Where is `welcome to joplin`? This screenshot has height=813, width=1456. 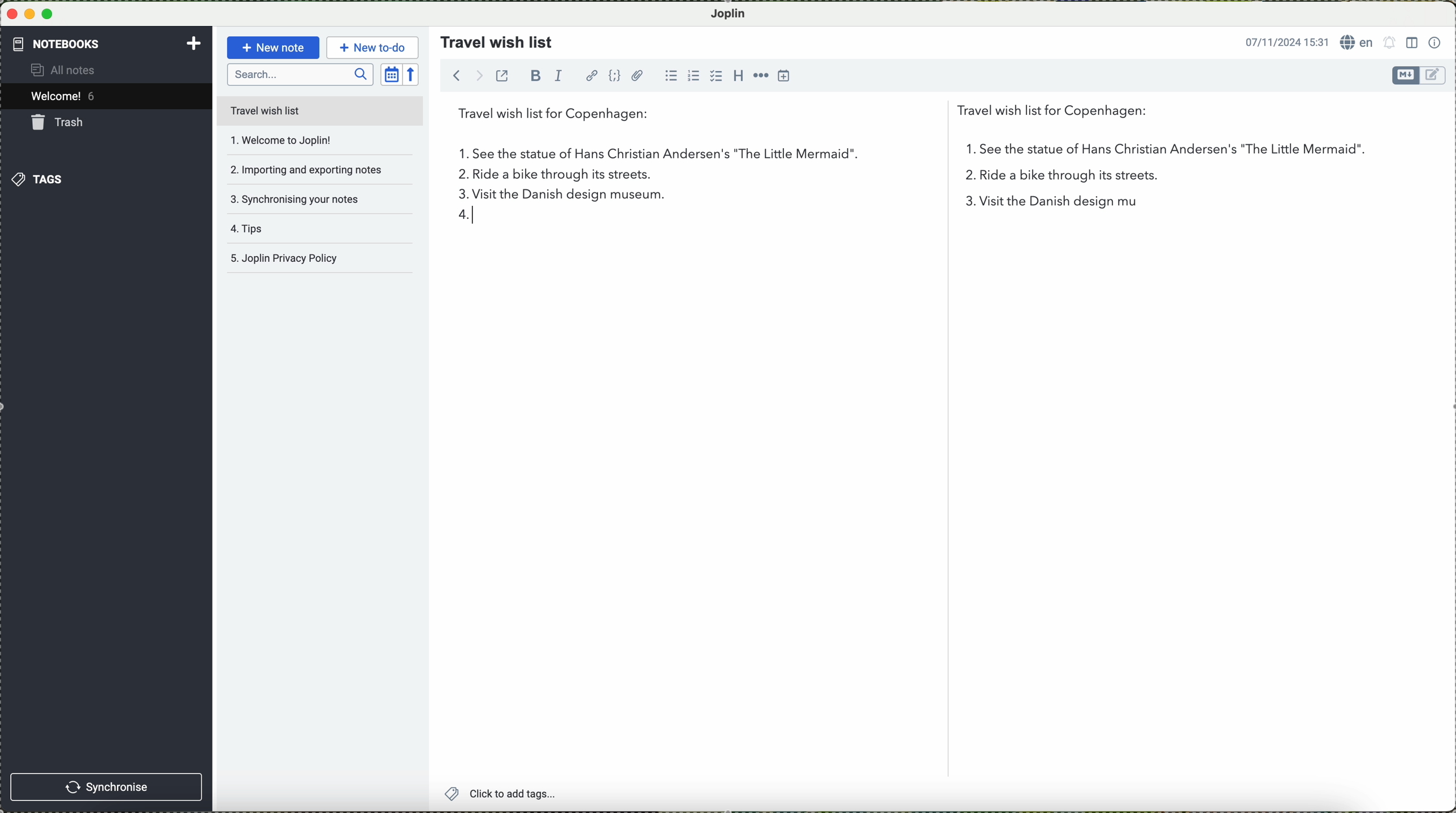
welcome to joplin is located at coordinates (302, 141).